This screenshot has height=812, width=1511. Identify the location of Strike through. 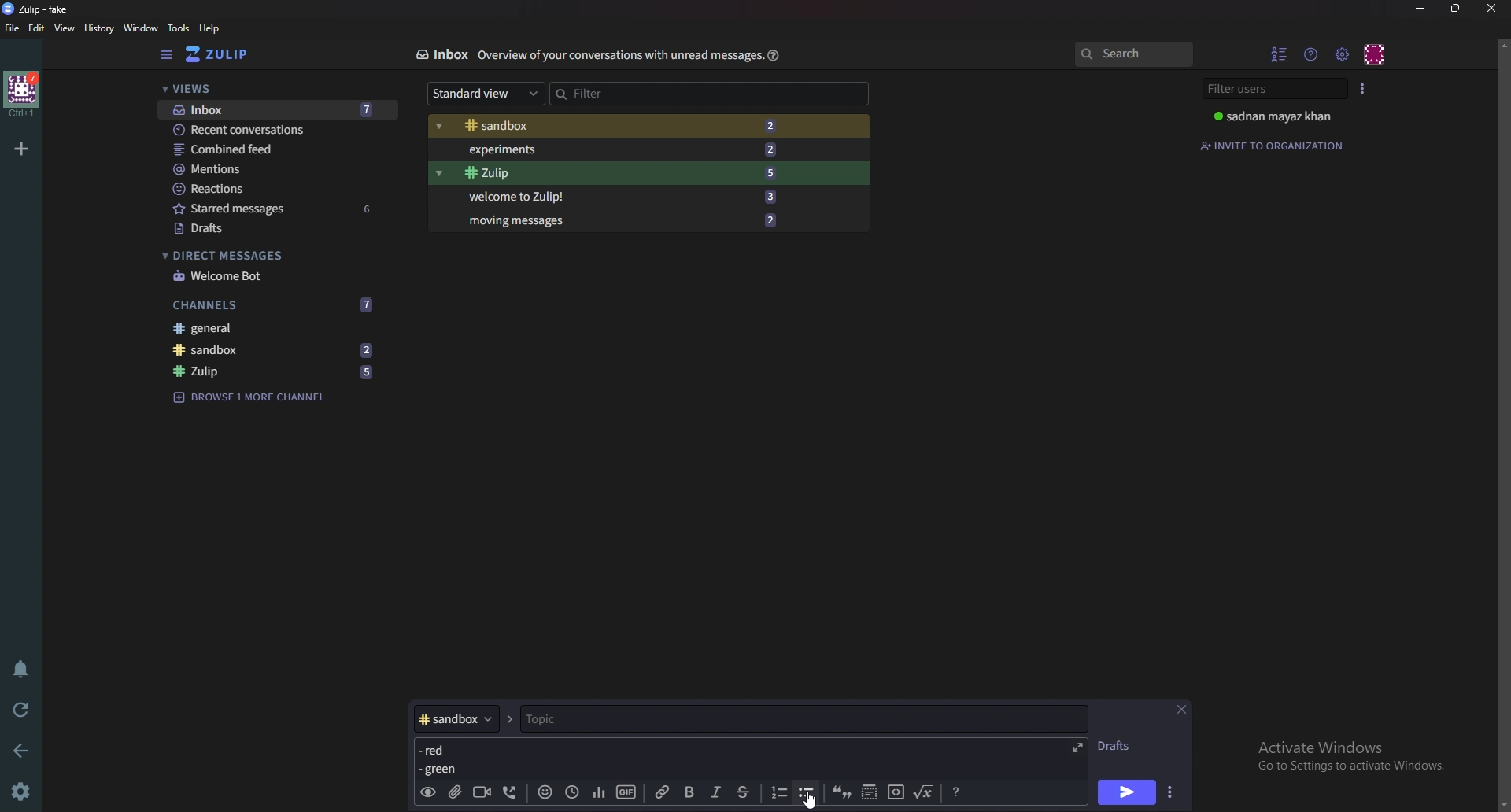
(743, 792).